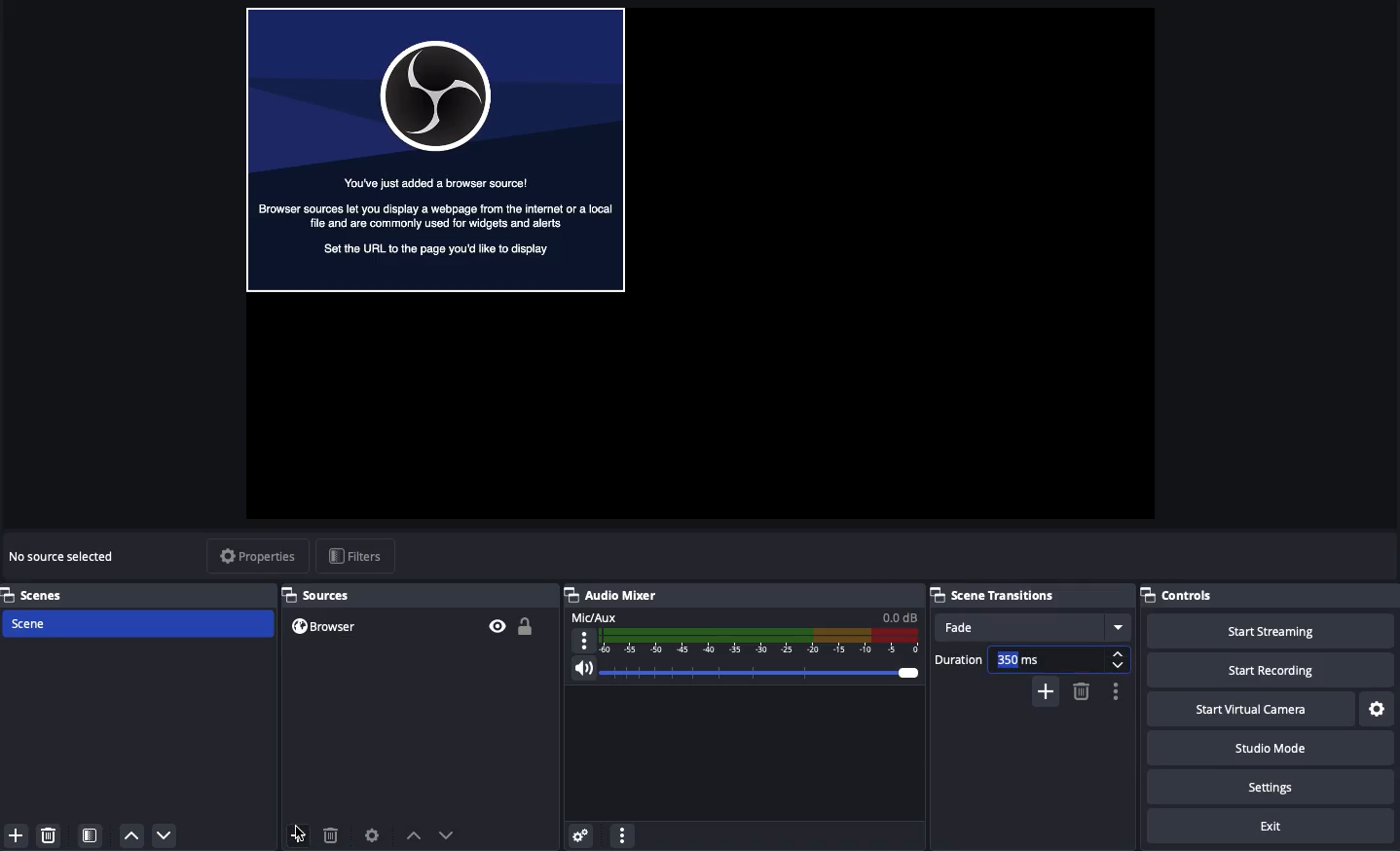 This screenshot has width=1400, height=851. I want to click on Settings, so click(1271, 788).